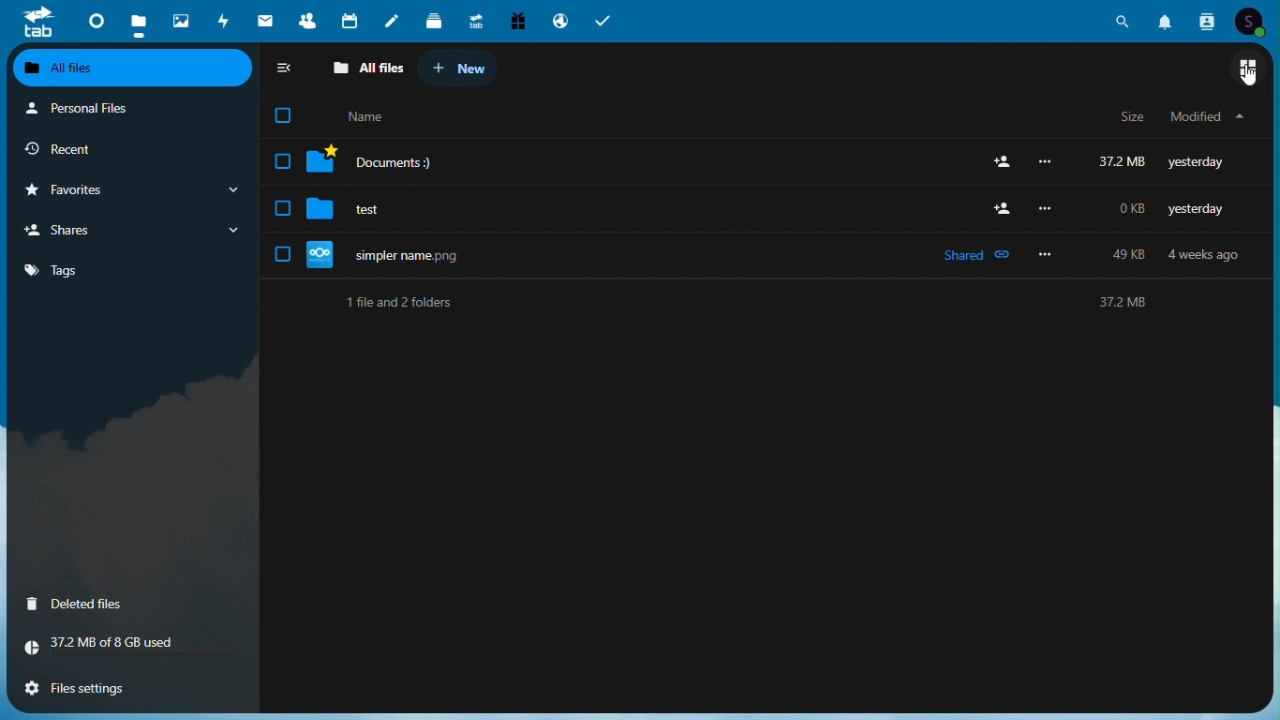  I want to click on dashboard, so click(97, 20).